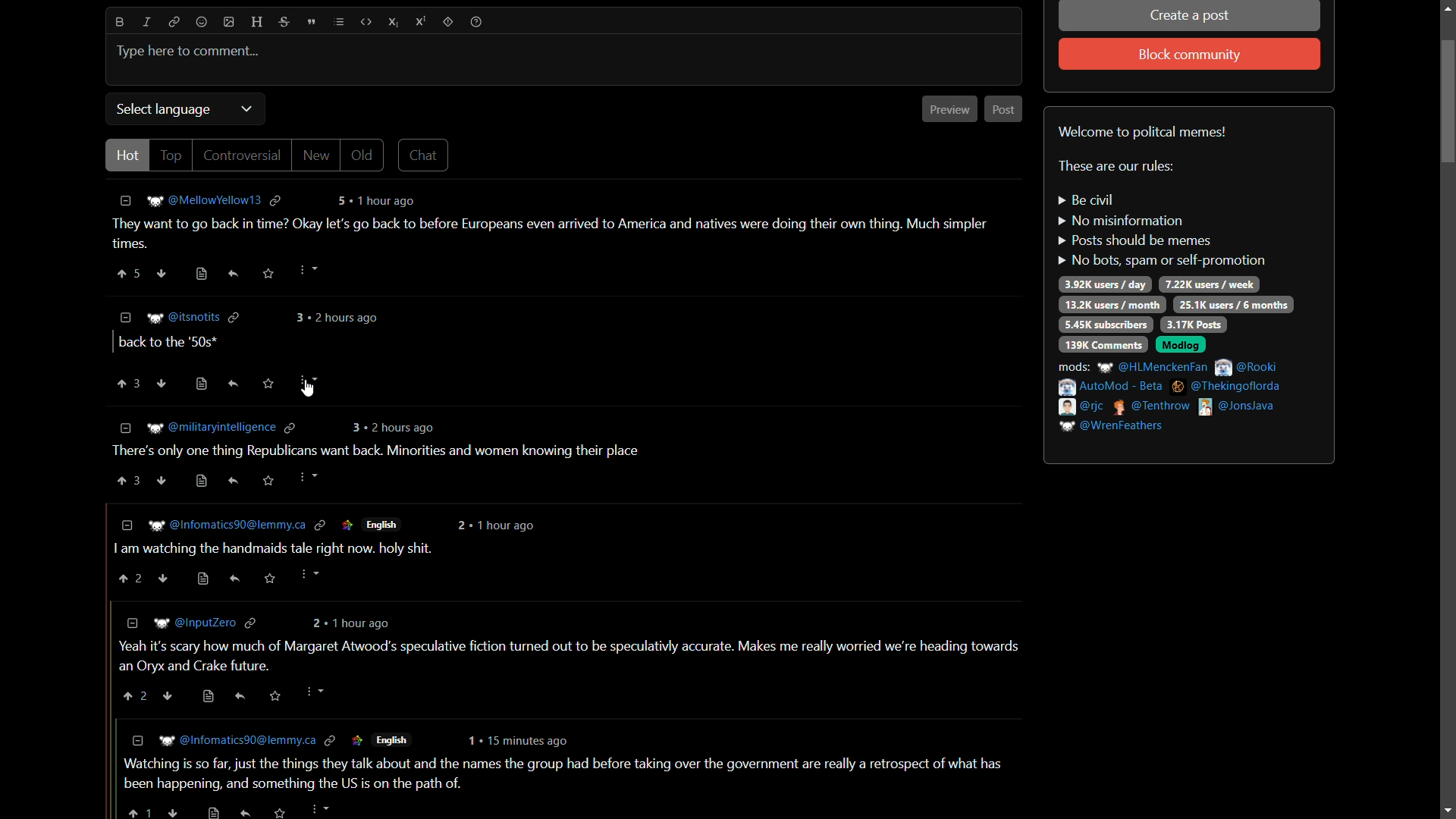 This screenshot has height=819, width=1456. I want to click on link, so click(172, 22).